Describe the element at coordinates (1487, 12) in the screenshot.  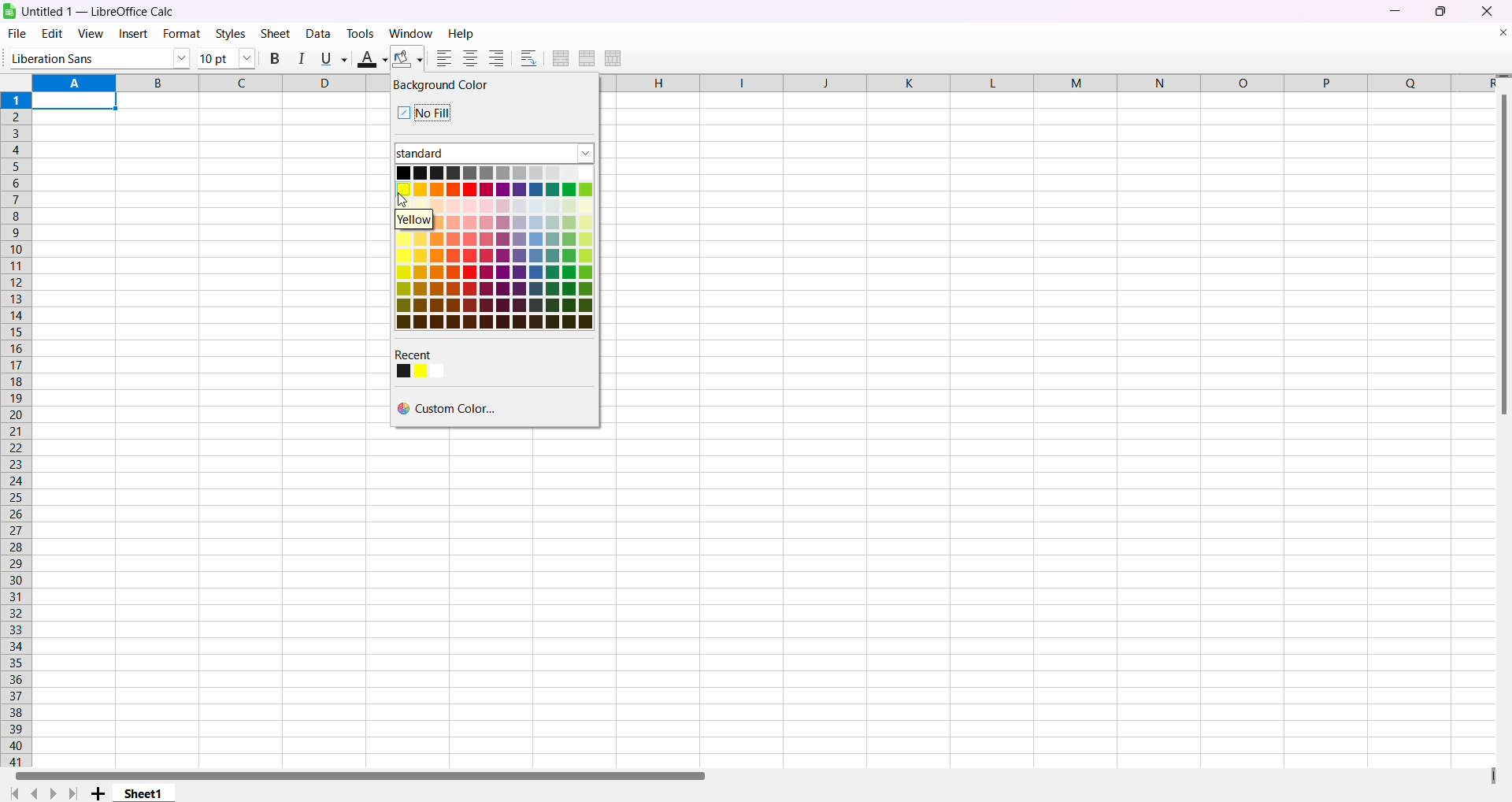
I see `close ` at that location.